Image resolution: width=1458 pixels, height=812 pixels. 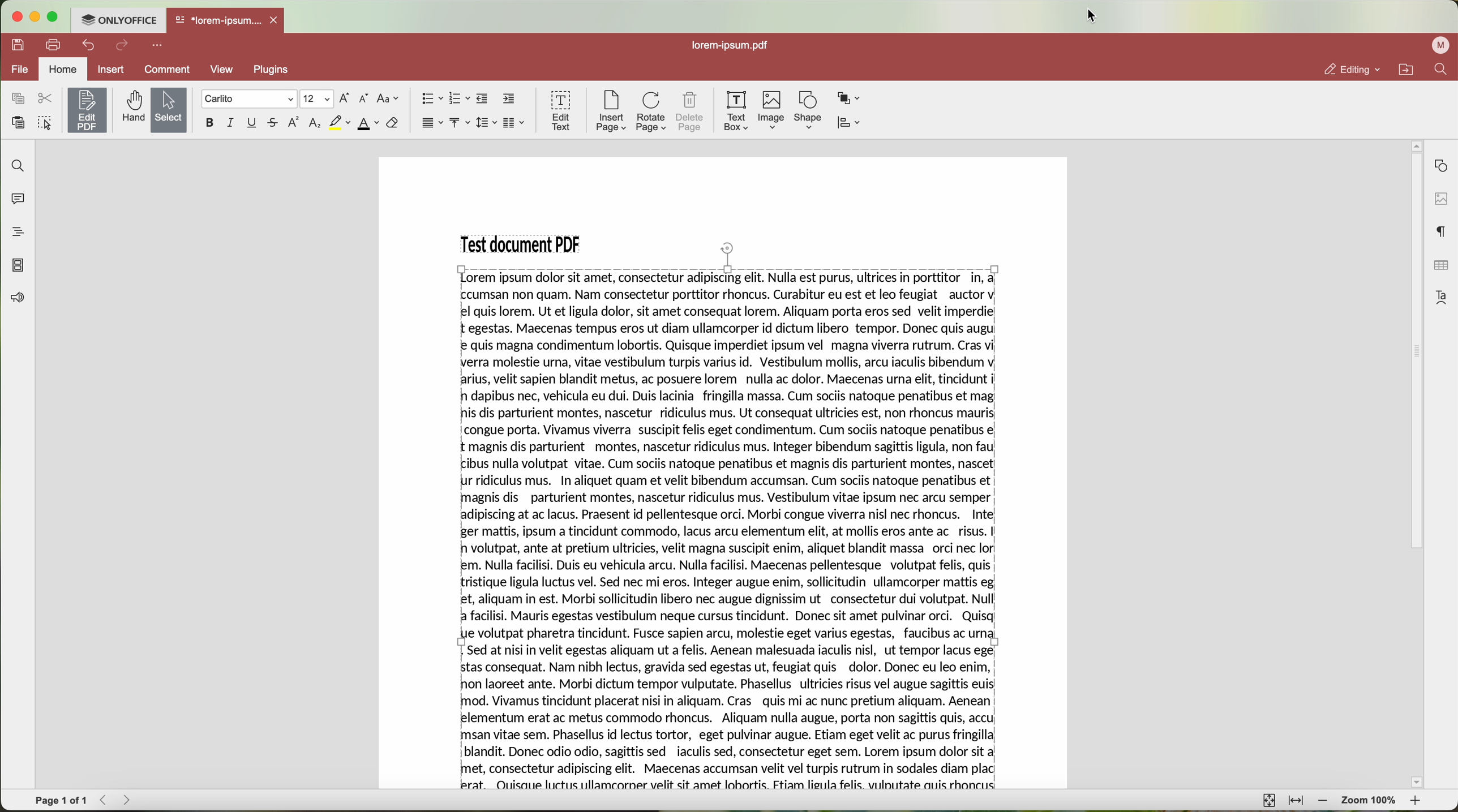 What do you see at coordinates (510, 99) in the screenshot?
I see `increase indent` at bounding box center [510, 99].